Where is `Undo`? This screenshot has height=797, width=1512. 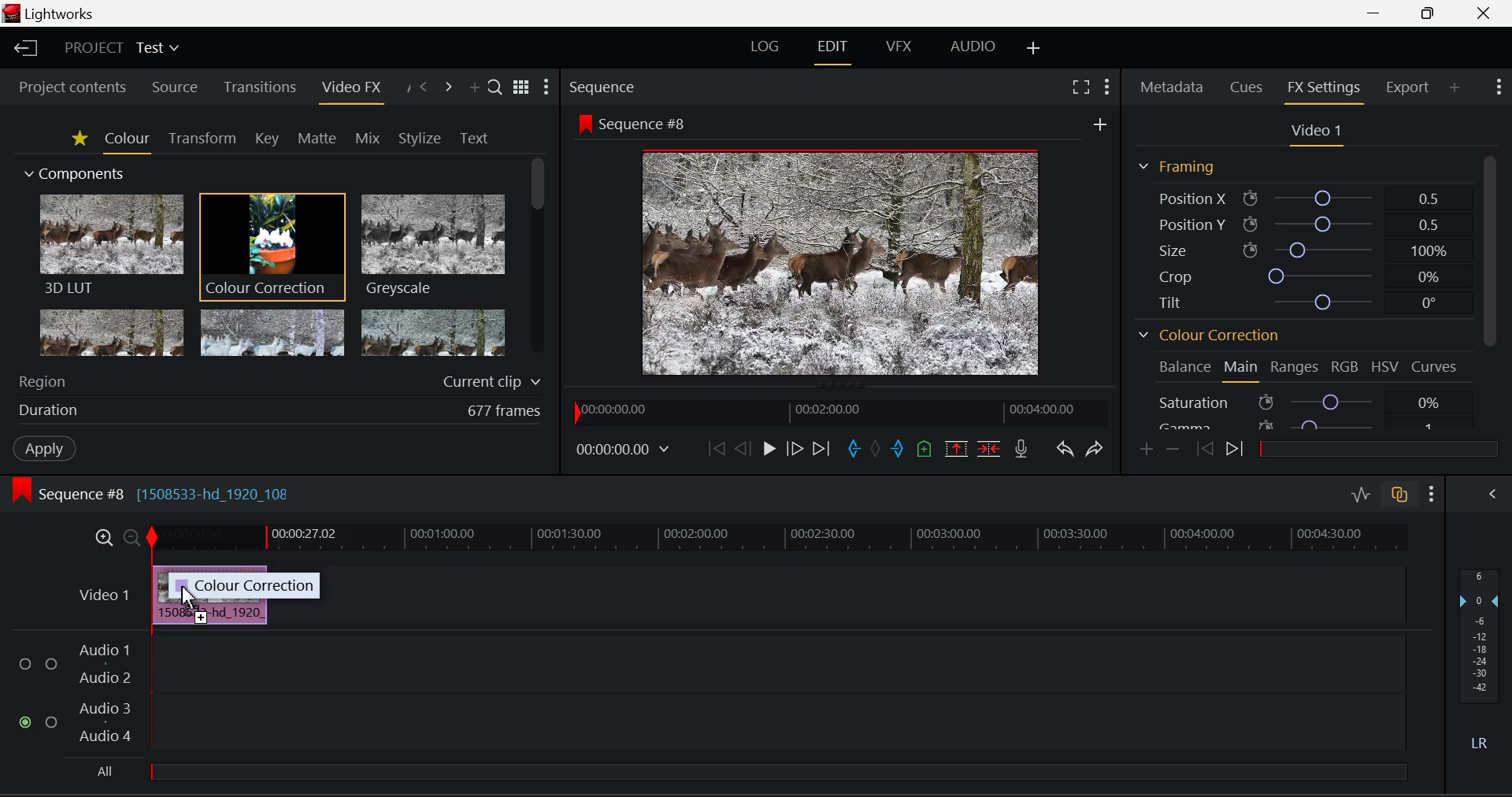
Undo is located at coordinates (1066, 450).